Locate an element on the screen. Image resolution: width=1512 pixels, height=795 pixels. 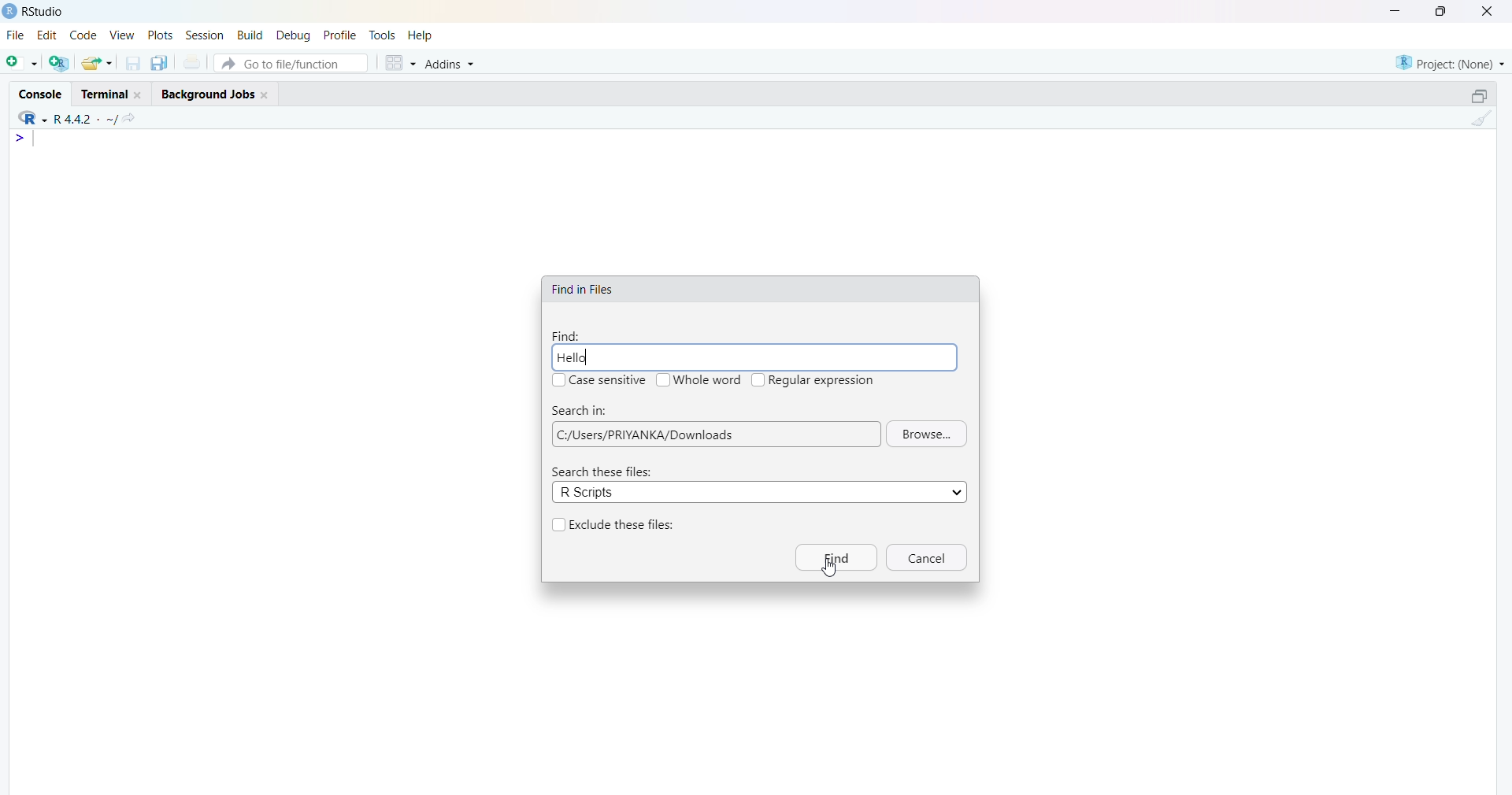
save is located at coordinates (135, 64).